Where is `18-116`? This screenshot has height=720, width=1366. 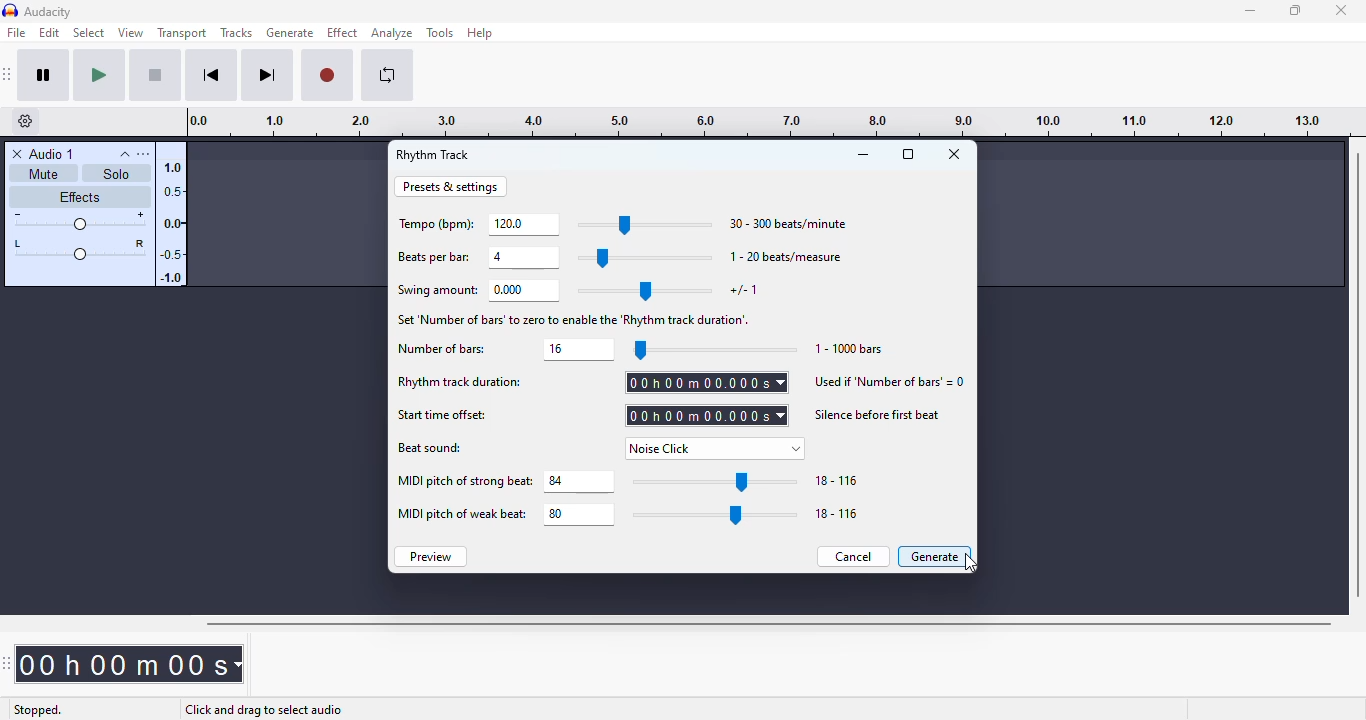
18-116 is located at coordinates (837, 481).